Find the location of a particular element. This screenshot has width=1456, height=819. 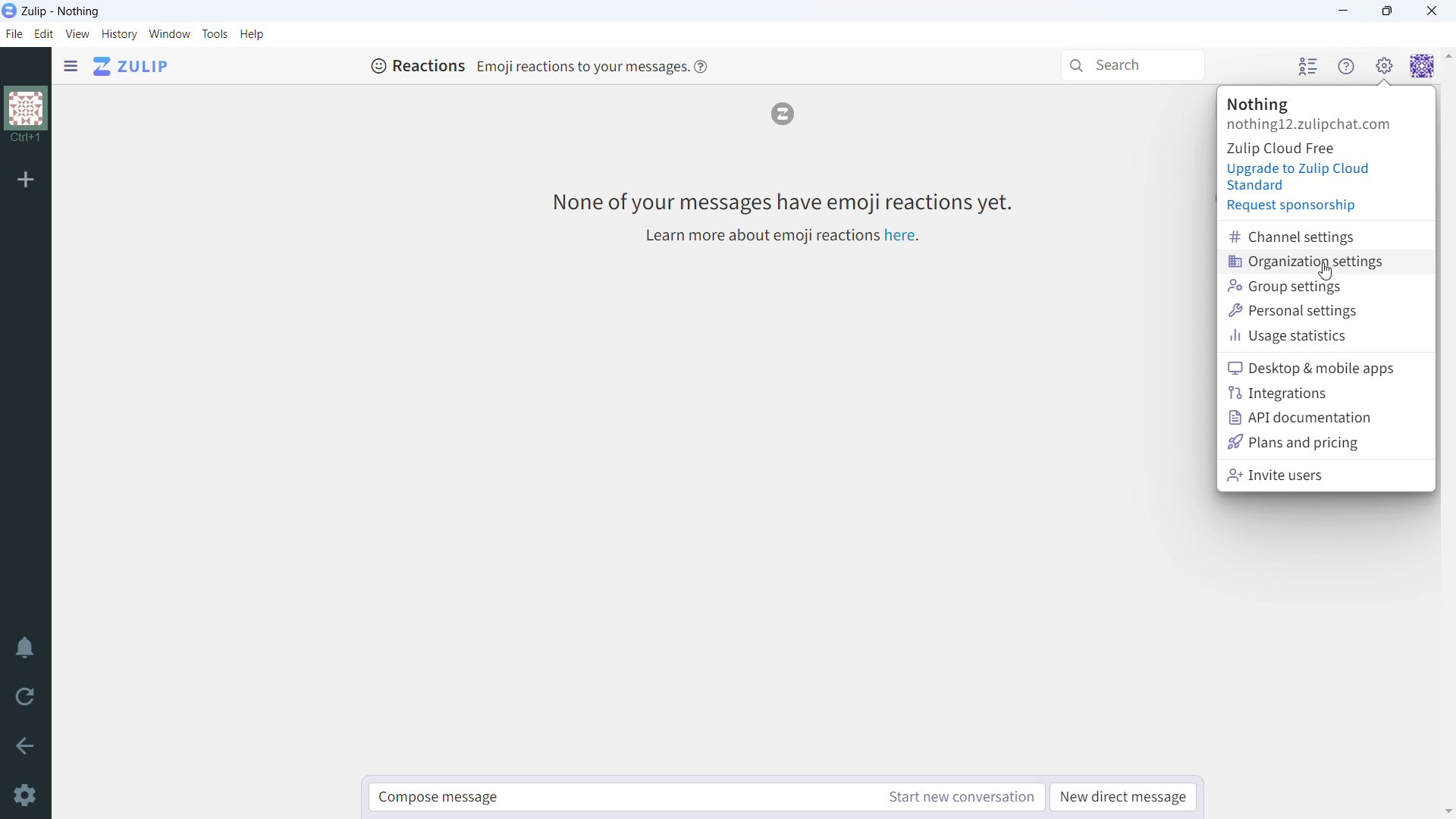

close is located at coordinates (1431, 11).